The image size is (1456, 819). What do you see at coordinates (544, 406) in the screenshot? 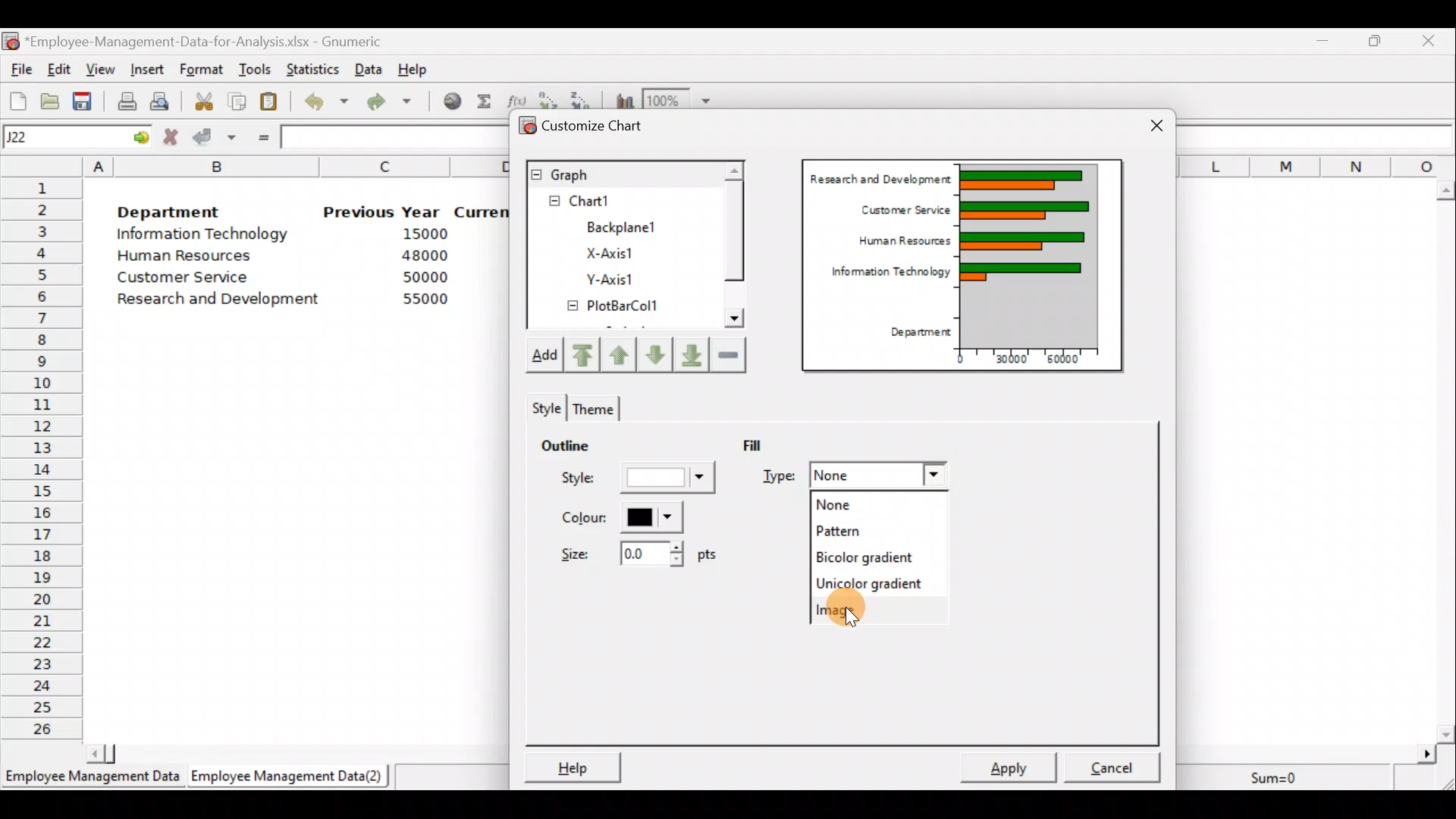
I see `Style` at bounding box center [544, 406].